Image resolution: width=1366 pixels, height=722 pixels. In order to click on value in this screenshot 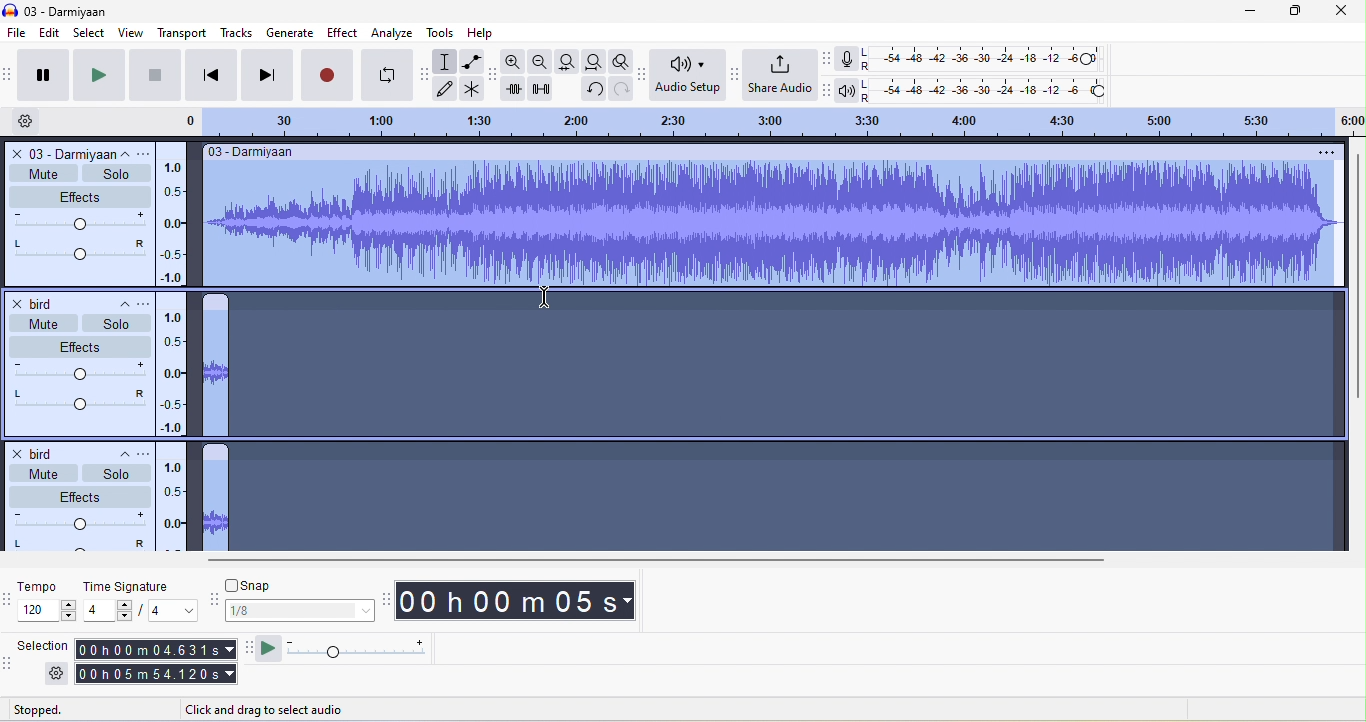, I will do `click(48, 613)`.